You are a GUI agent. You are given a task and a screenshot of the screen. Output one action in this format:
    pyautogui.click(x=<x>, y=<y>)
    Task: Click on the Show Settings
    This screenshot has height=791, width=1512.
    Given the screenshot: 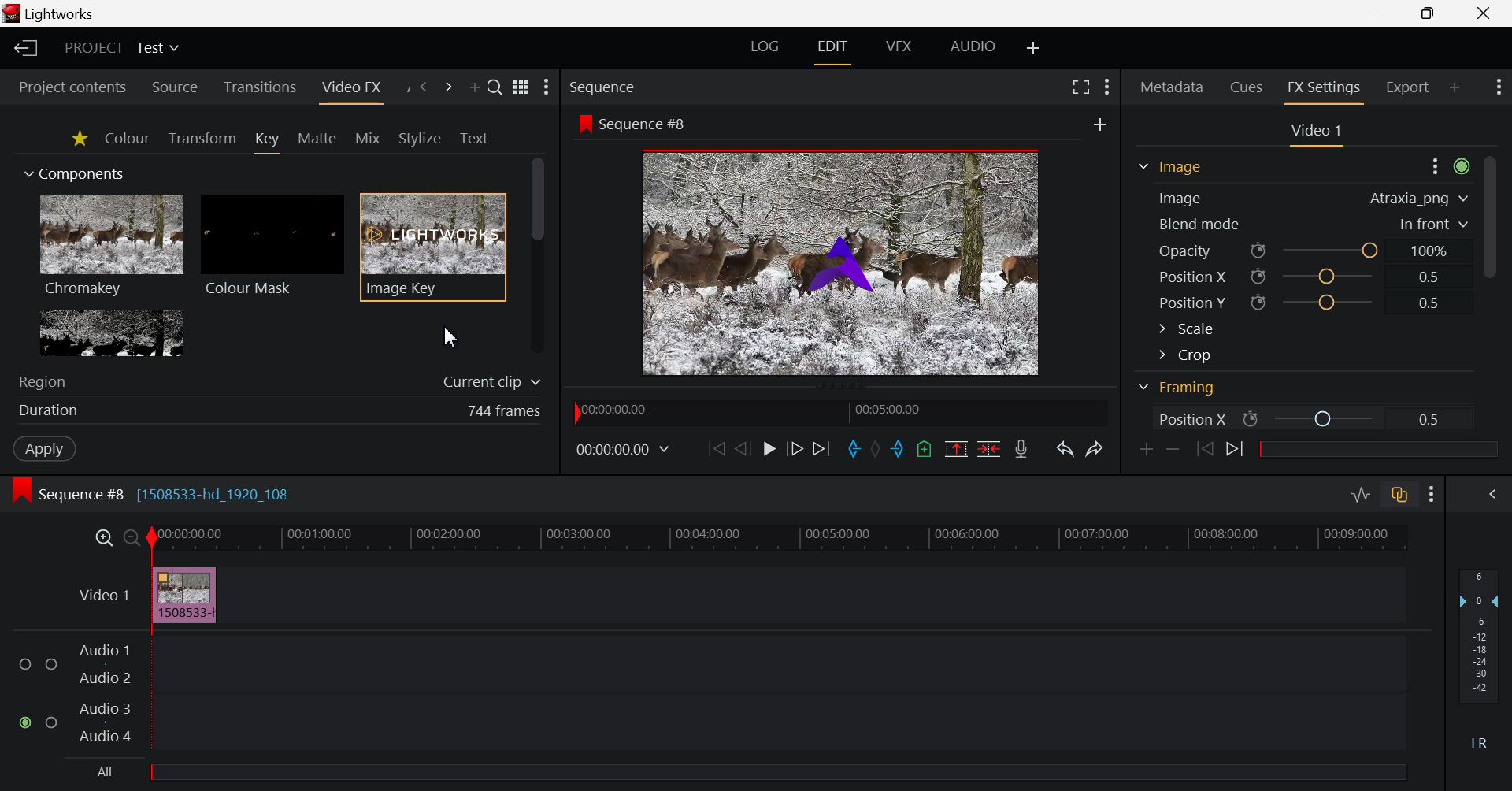 What is the action you would take?
    pyautogui.click(x=1498, y=87)
    